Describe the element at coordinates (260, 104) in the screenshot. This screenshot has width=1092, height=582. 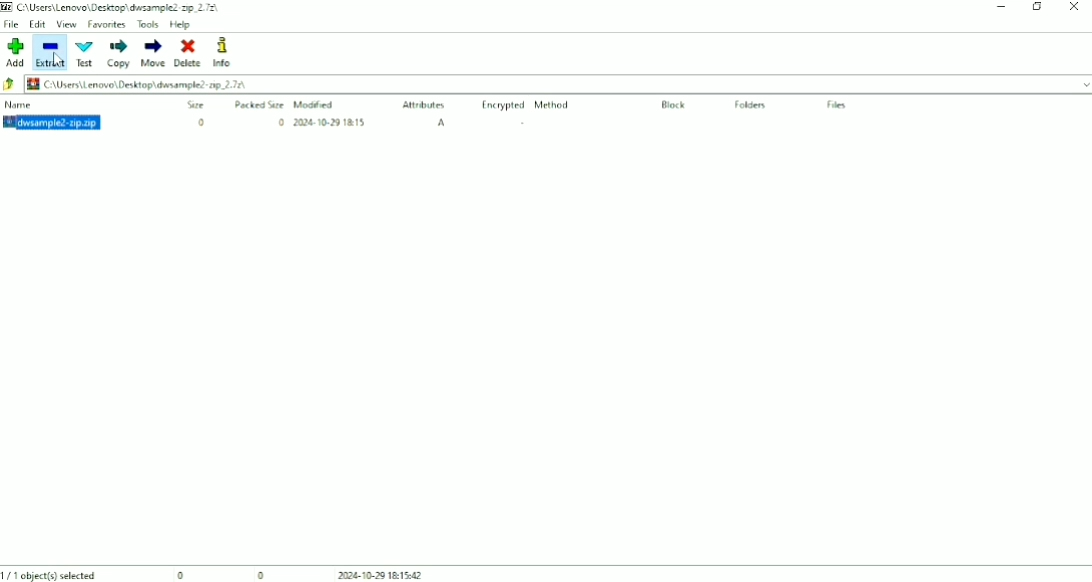
I see `Packed Size` at that location.